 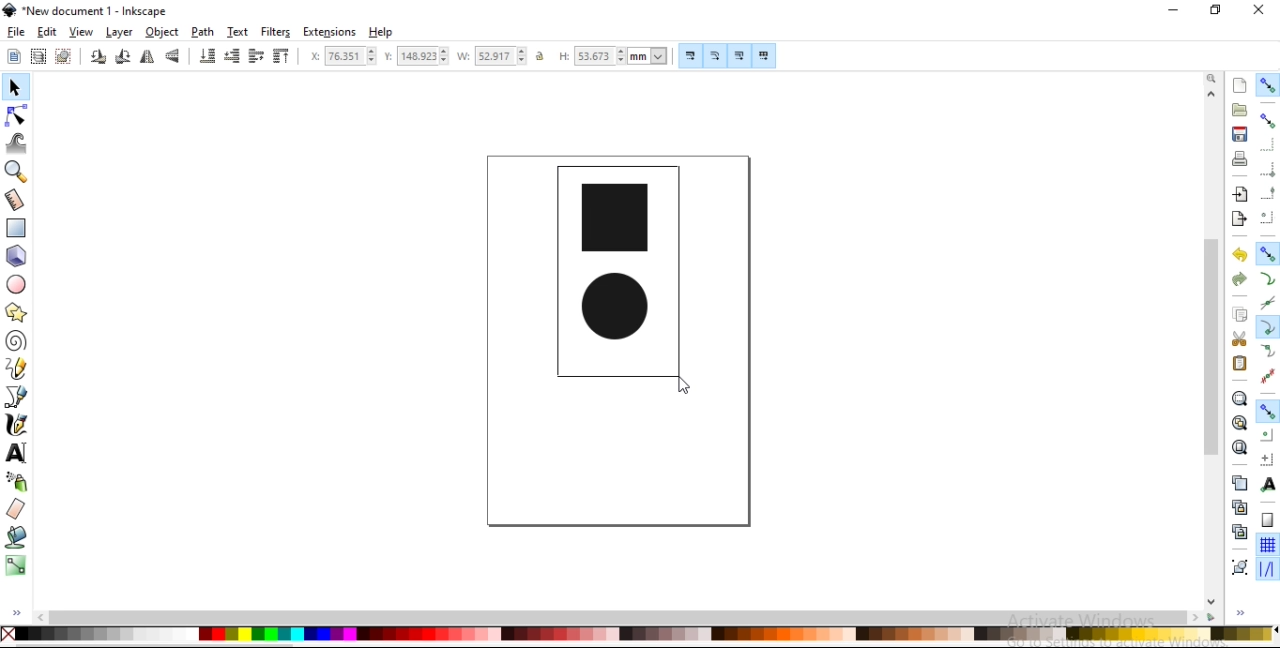 I want to click on width of selection, so click(x=494, y=56).